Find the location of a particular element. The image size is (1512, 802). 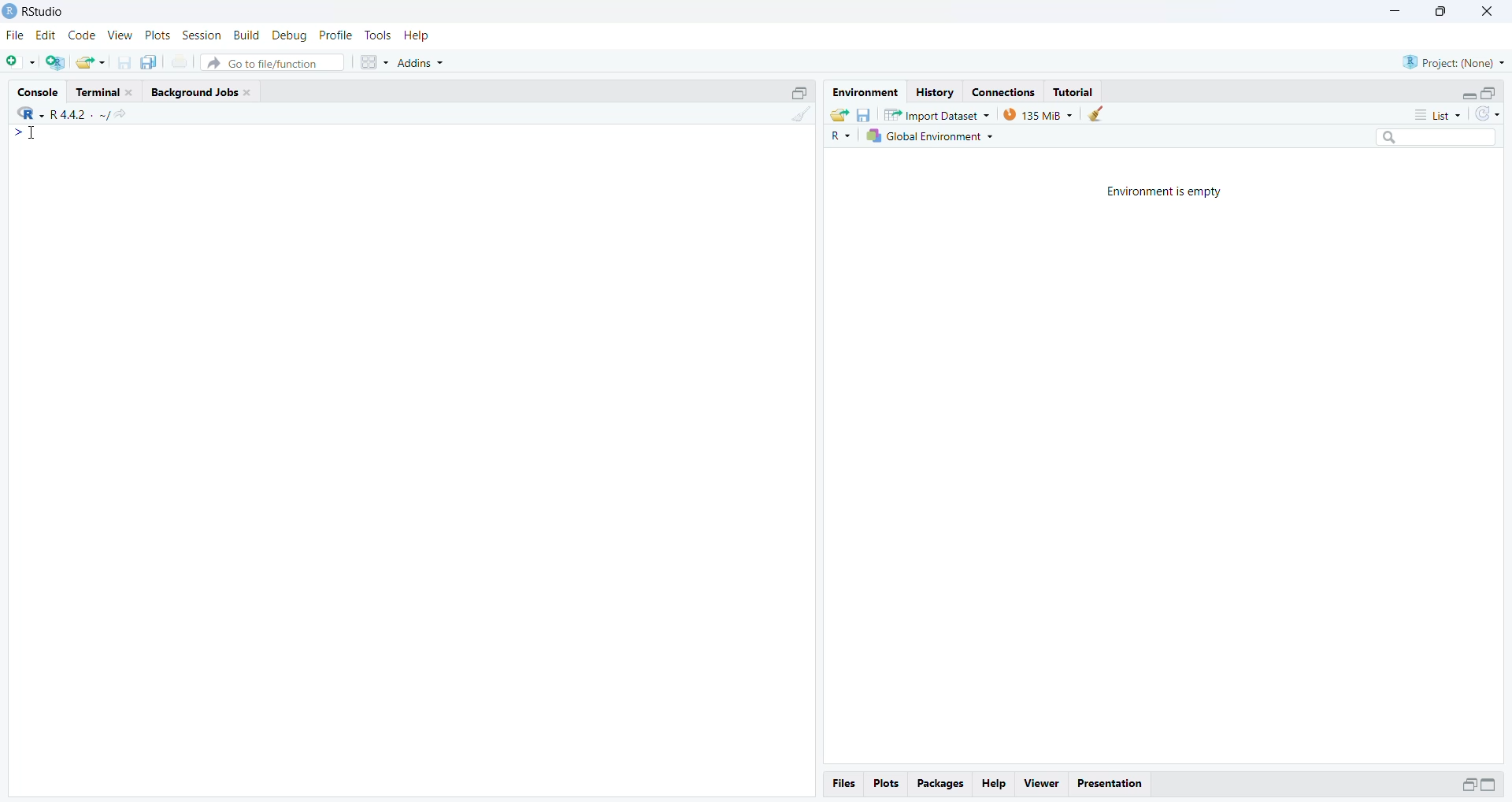

View is located at coordinates (1040, 782).